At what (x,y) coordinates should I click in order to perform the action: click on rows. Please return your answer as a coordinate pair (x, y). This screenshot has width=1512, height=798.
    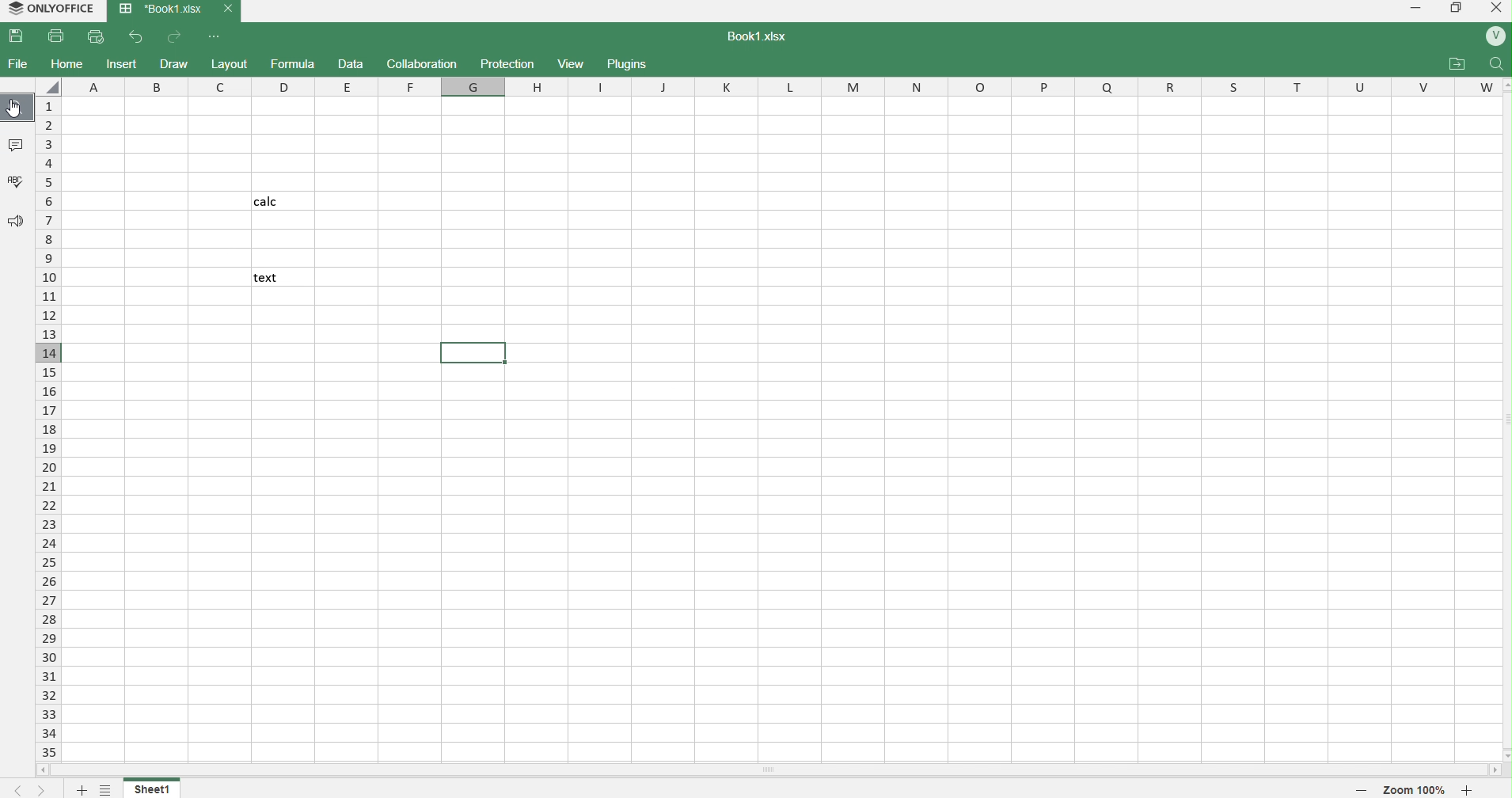
    Looking at the image, I should click on (50, 427).